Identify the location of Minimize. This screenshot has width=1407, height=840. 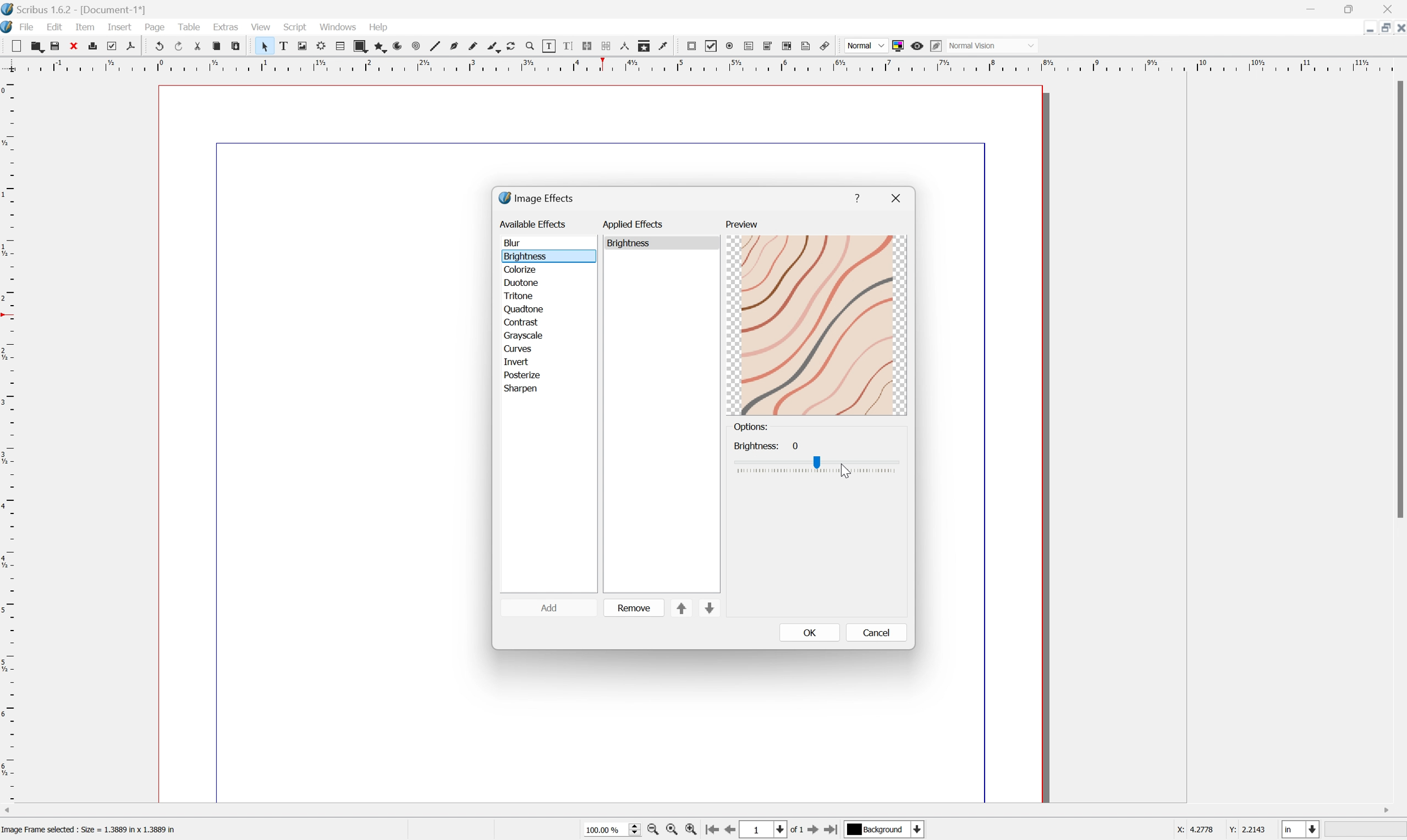
(1386, 29).